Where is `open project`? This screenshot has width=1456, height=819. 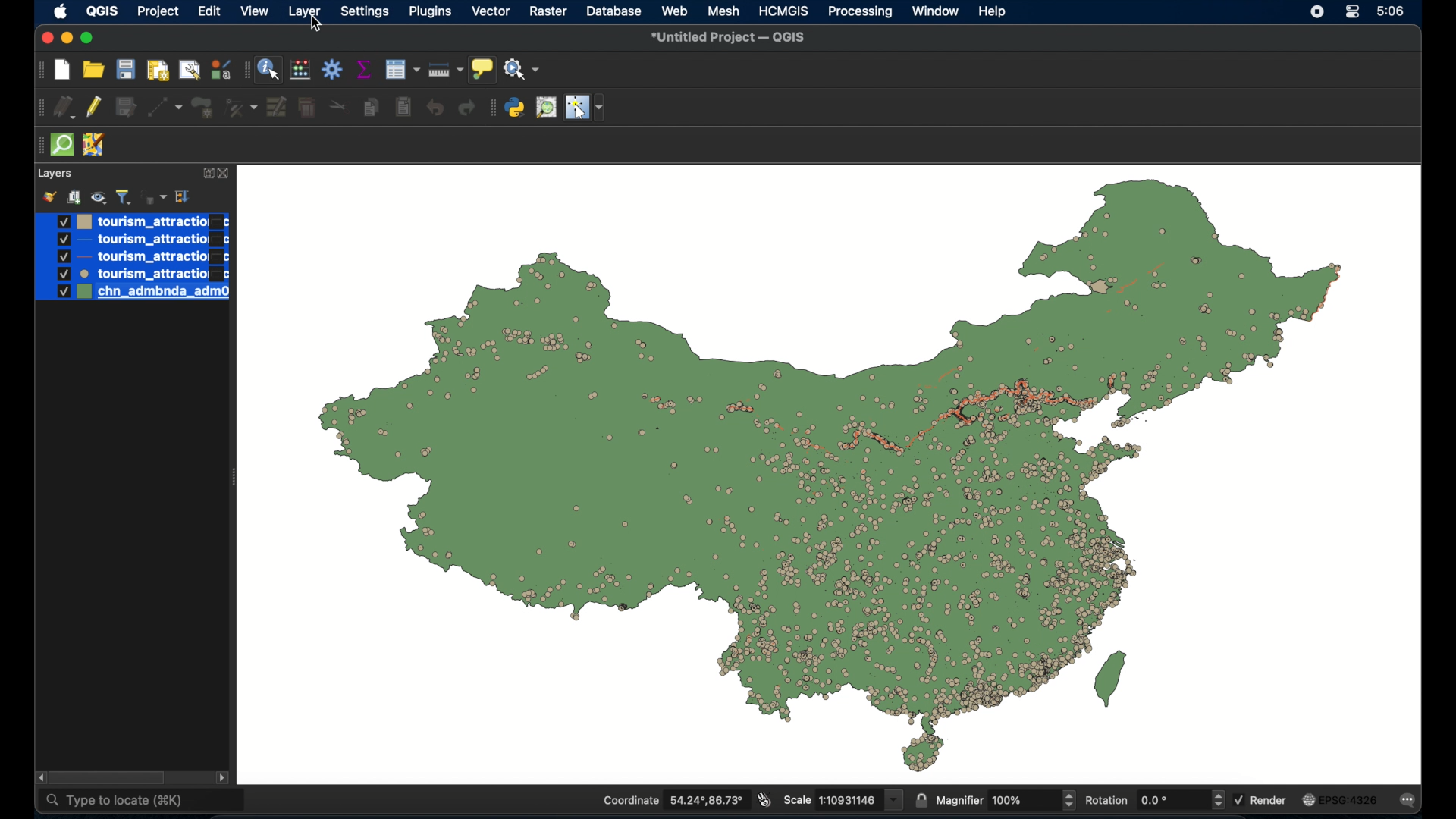 open project is located at coordinates (93, 68).